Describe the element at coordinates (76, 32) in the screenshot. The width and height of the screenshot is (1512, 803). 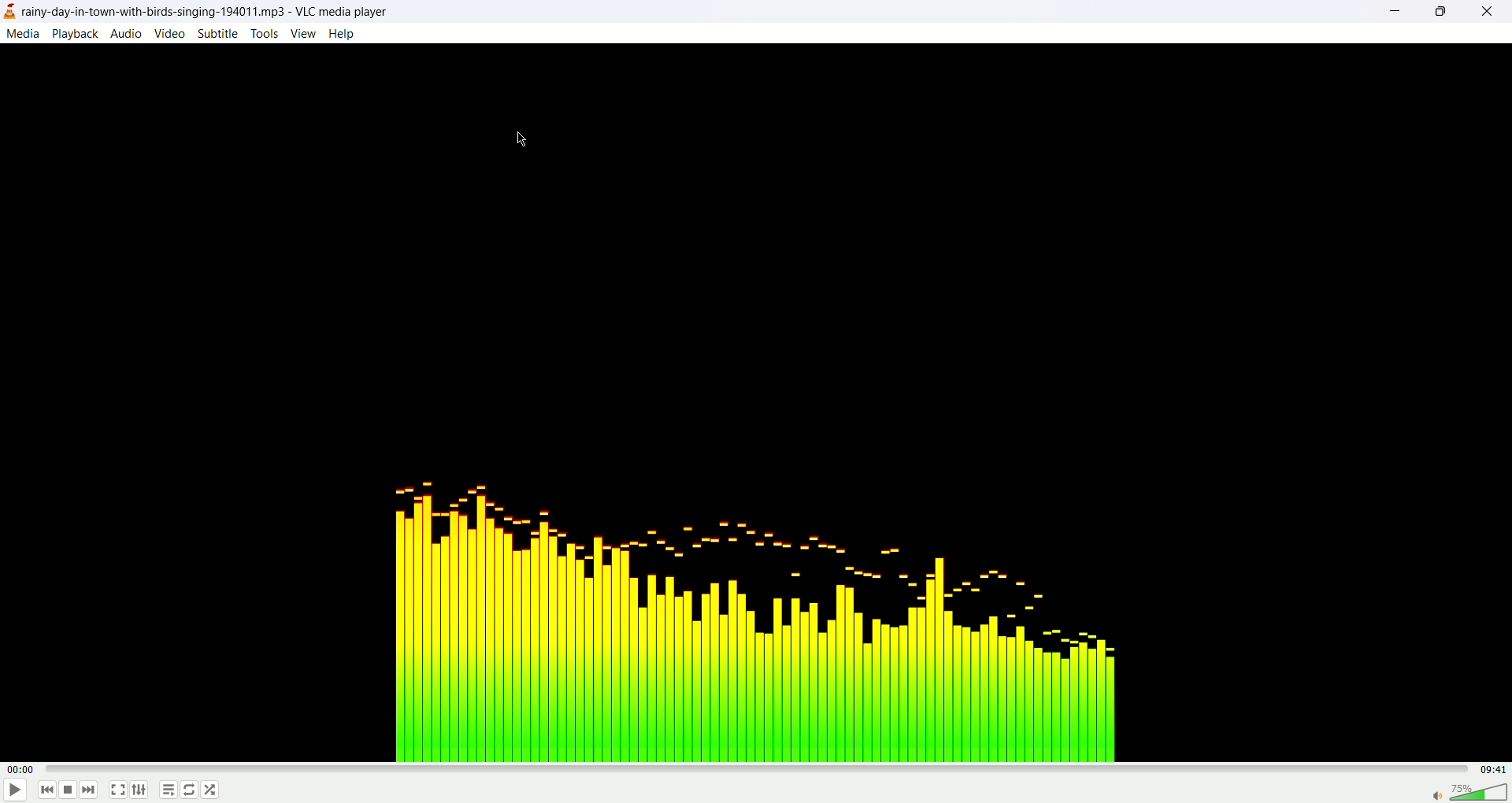
I see `playback` at that location.